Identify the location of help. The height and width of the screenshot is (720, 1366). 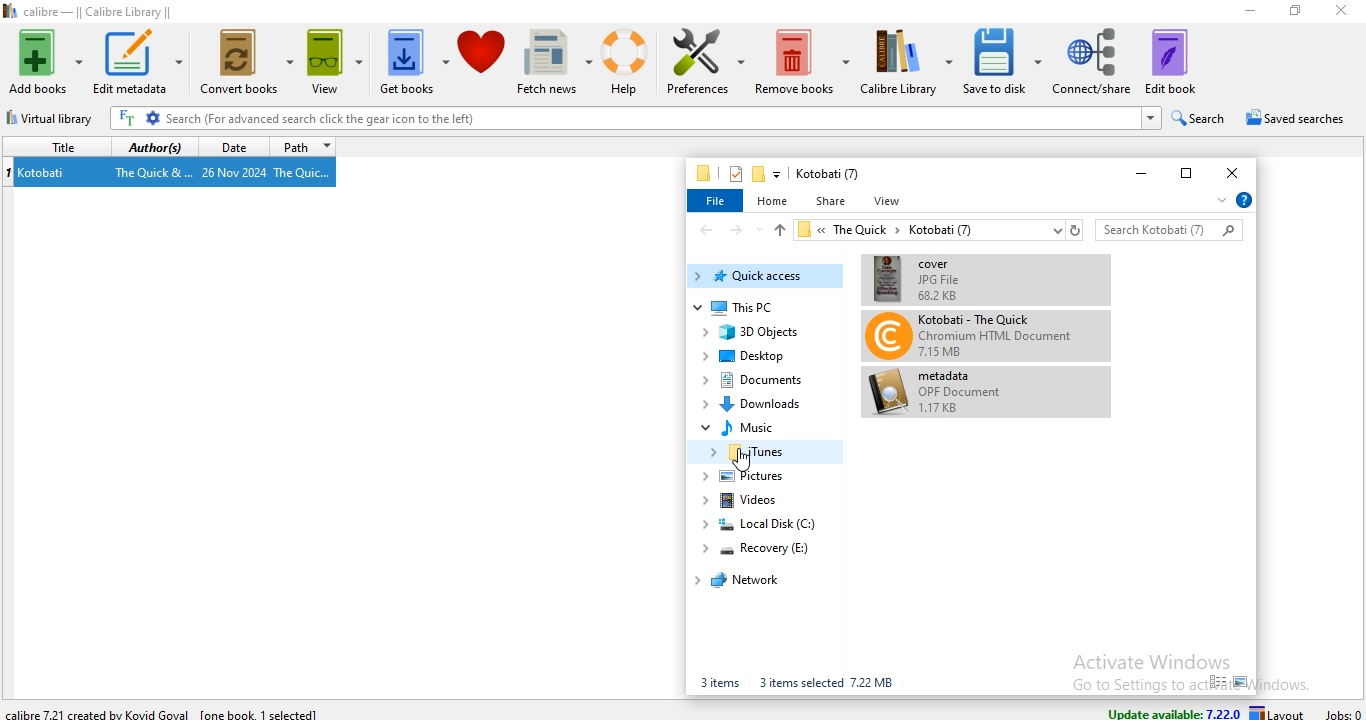
(624, 61).